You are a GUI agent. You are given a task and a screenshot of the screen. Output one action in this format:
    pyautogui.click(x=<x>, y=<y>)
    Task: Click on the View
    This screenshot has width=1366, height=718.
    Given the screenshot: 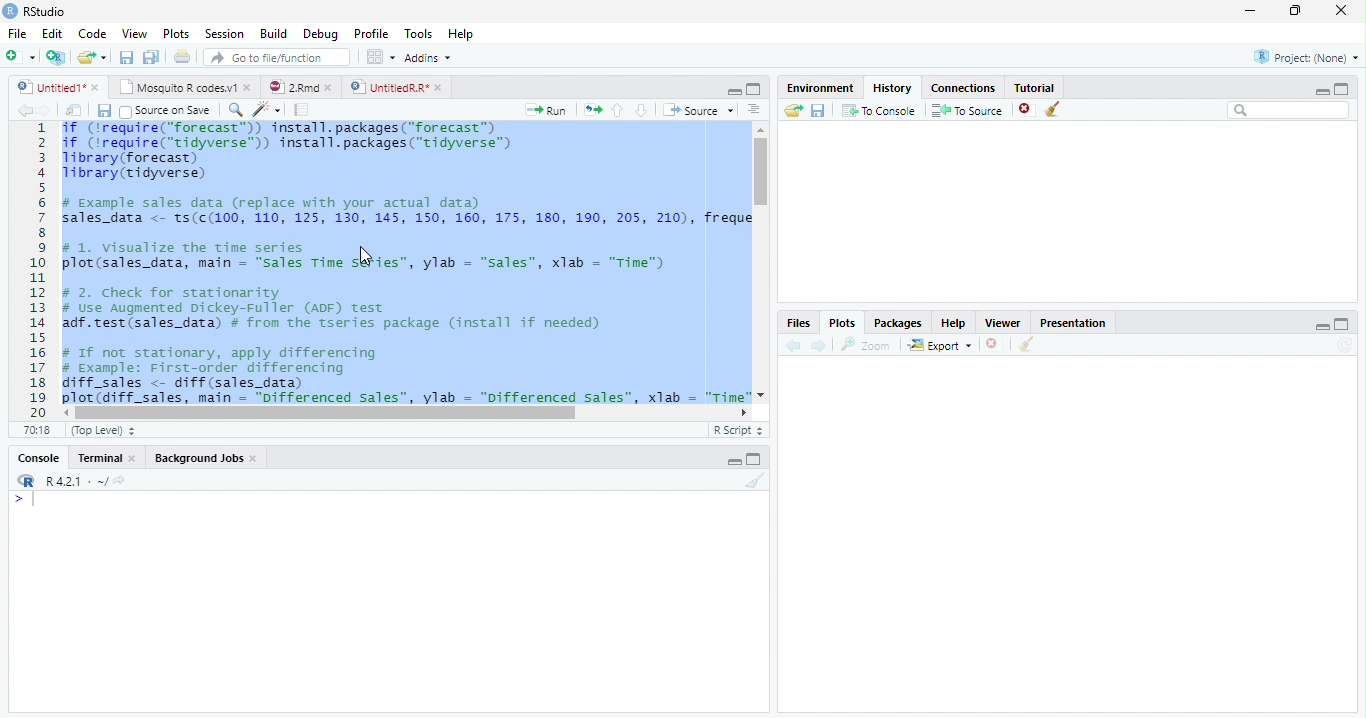 What is the action you would take?
    pyautogui.click(x=133, y=34)
    